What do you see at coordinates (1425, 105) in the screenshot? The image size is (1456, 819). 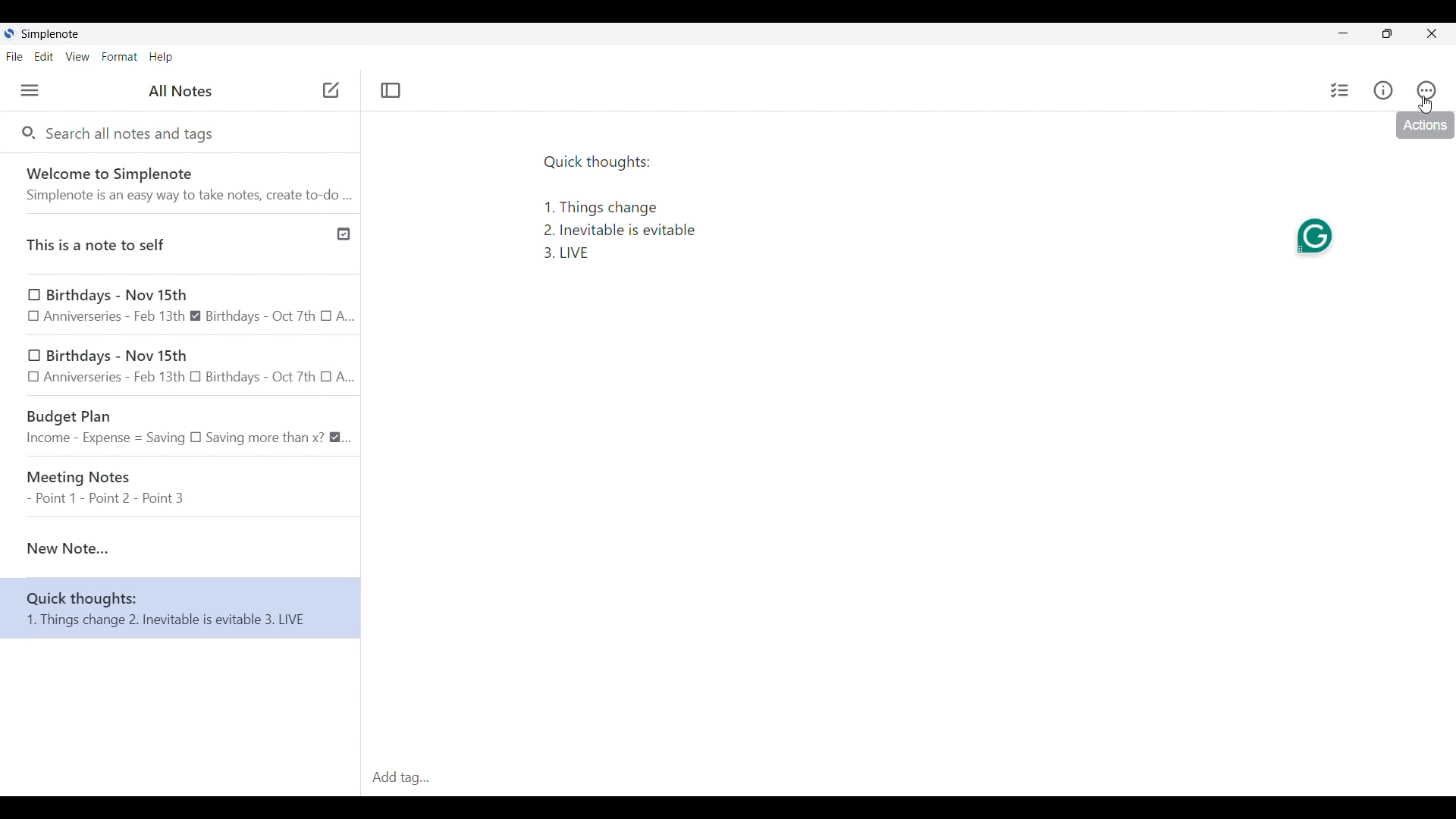 I see `Cursor clicking on Actions` at bounding box center [1425, 105].